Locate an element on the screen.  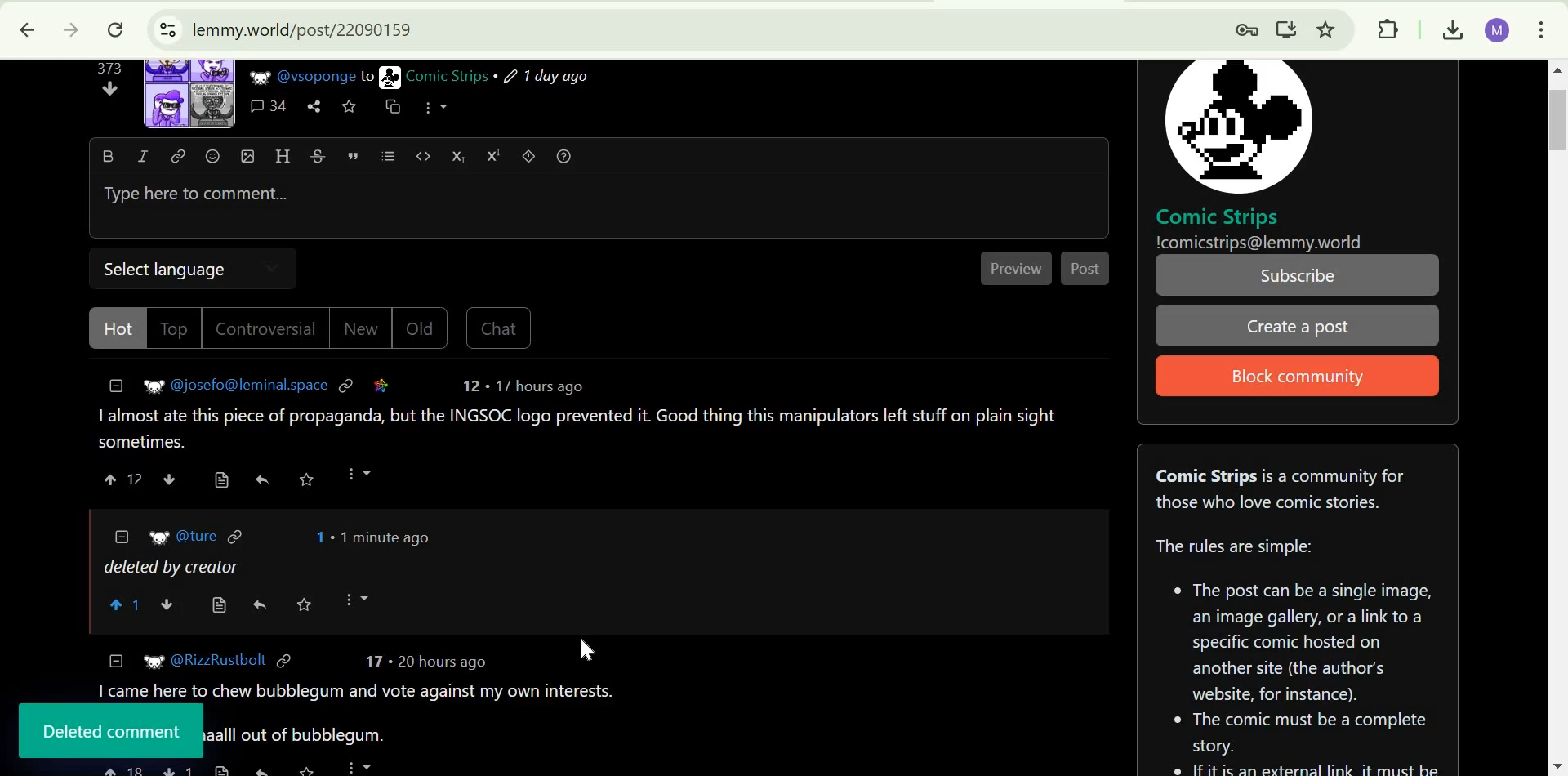
code is located at coordinates (424, 154).